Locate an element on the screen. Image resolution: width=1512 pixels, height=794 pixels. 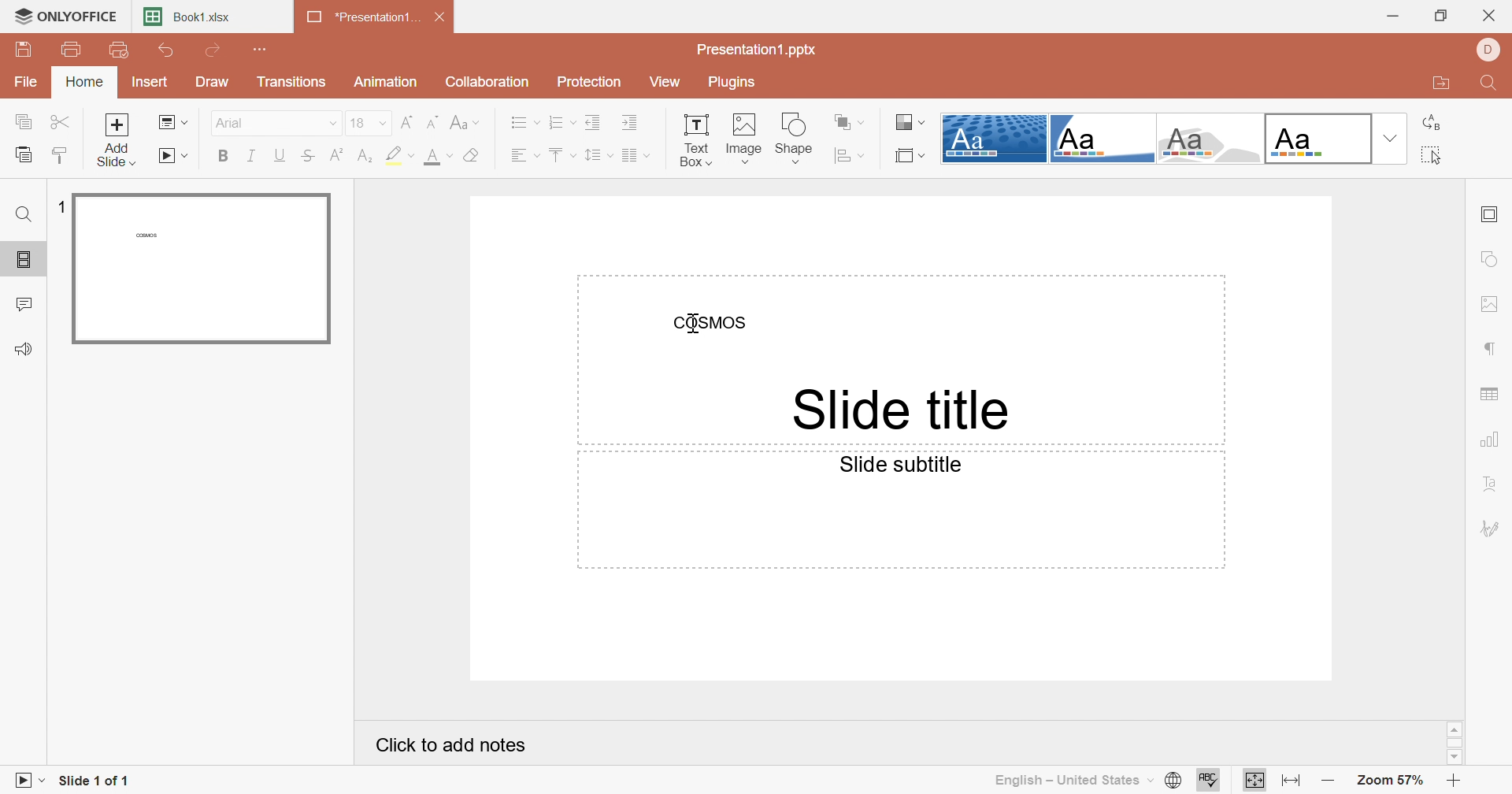
Undo is located at coordinates (170, 53).